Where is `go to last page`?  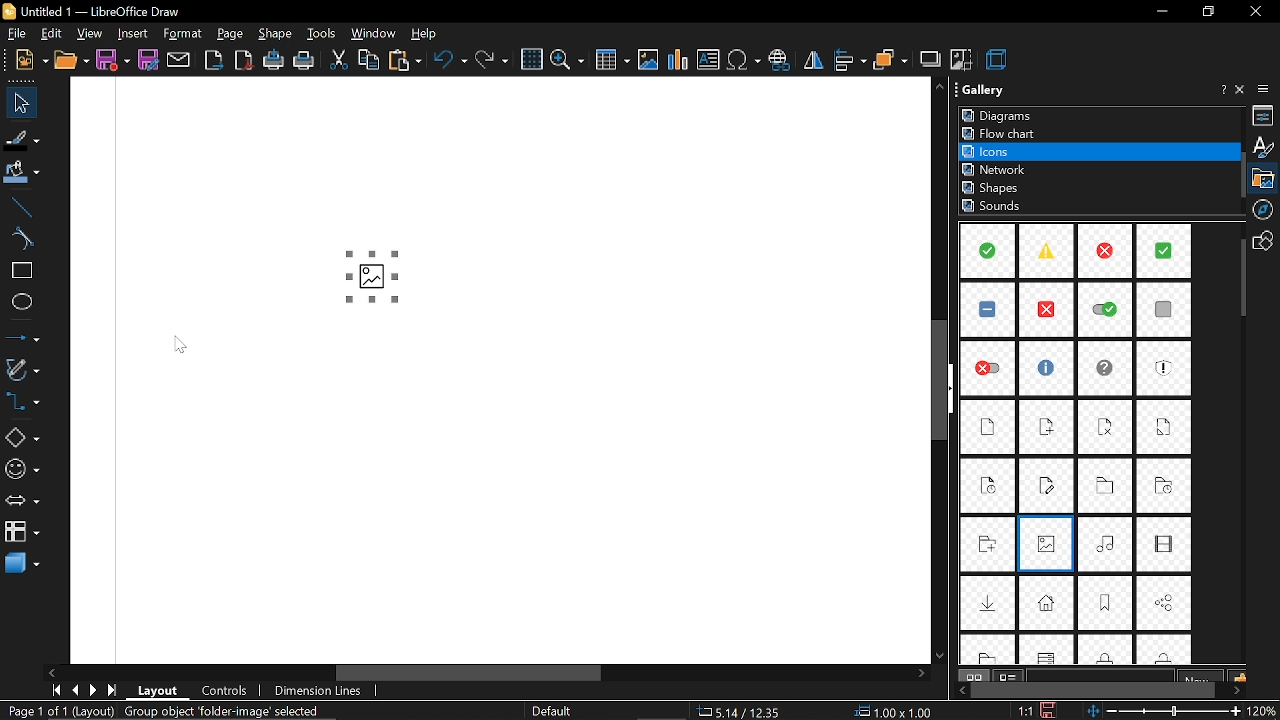 go to last page is located at coordinates (113, 690).